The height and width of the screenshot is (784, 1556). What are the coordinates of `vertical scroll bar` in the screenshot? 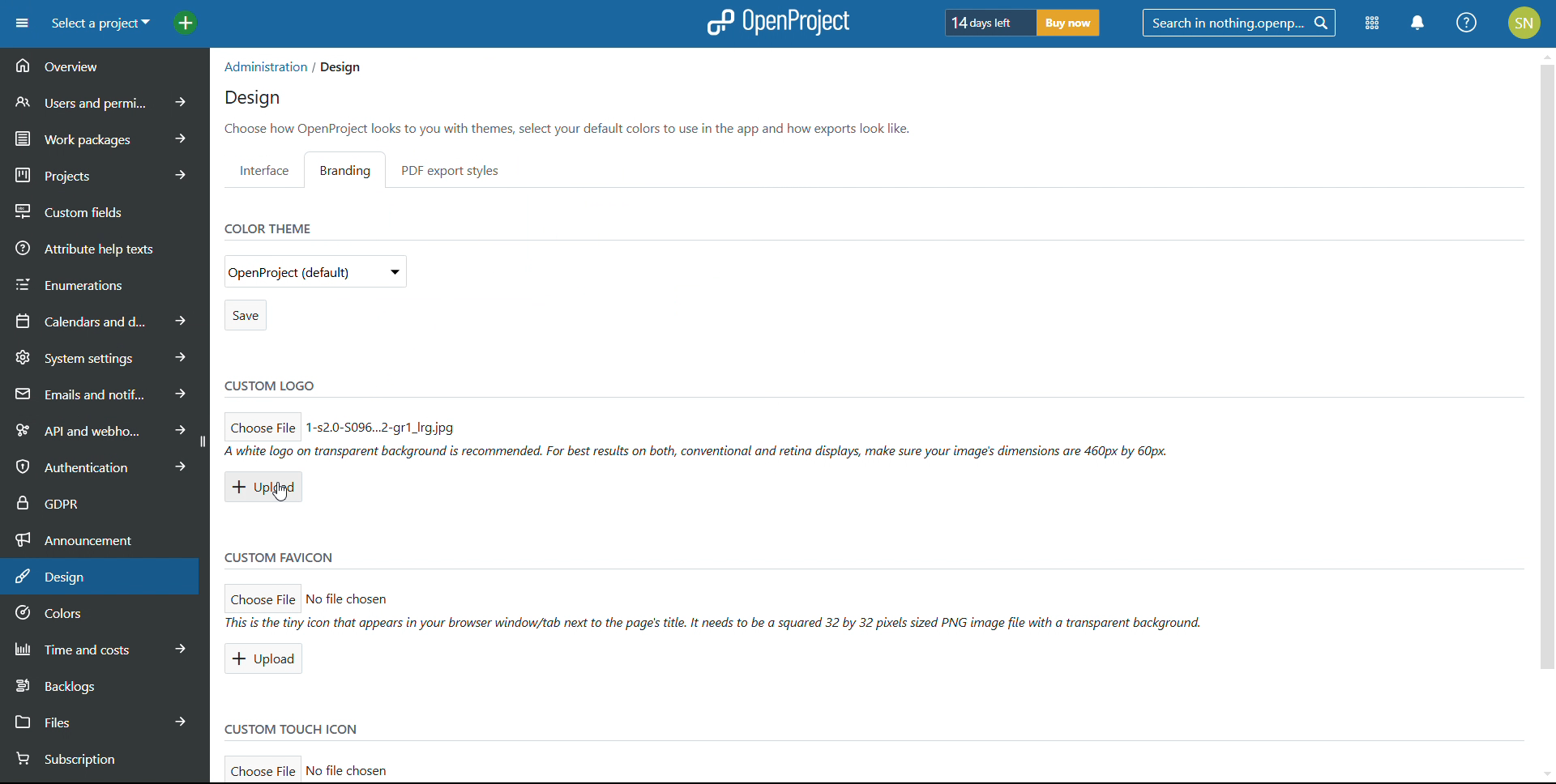 It's located at (1545, 382).